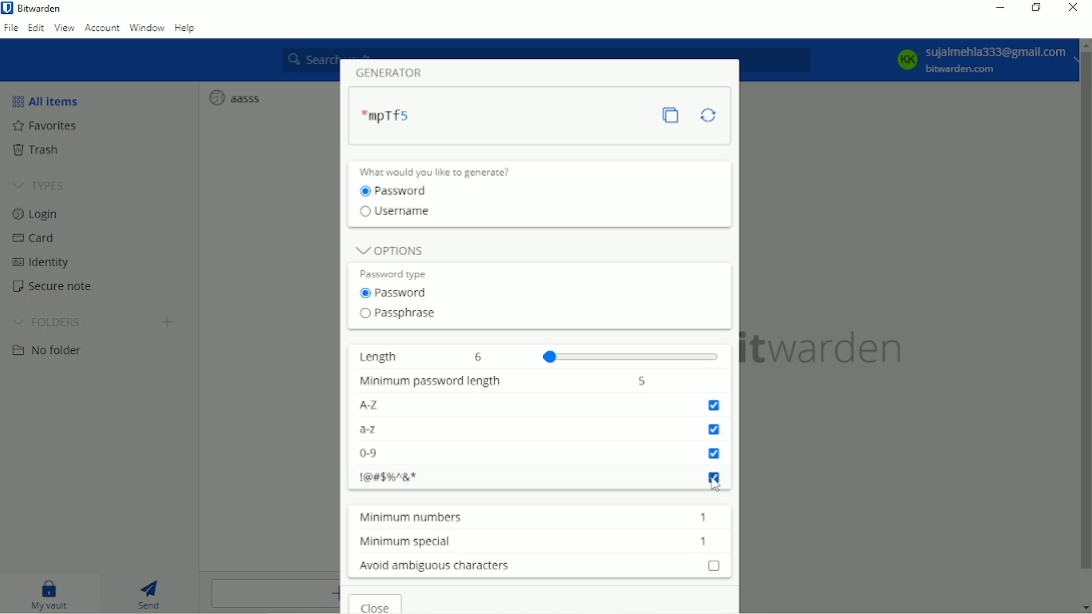 The height and width of the screenshot is (614, 1092). What do you see at coordinates (671, 116) in the screenshot?
I see `Copy password` at bounding box center [671, 116].